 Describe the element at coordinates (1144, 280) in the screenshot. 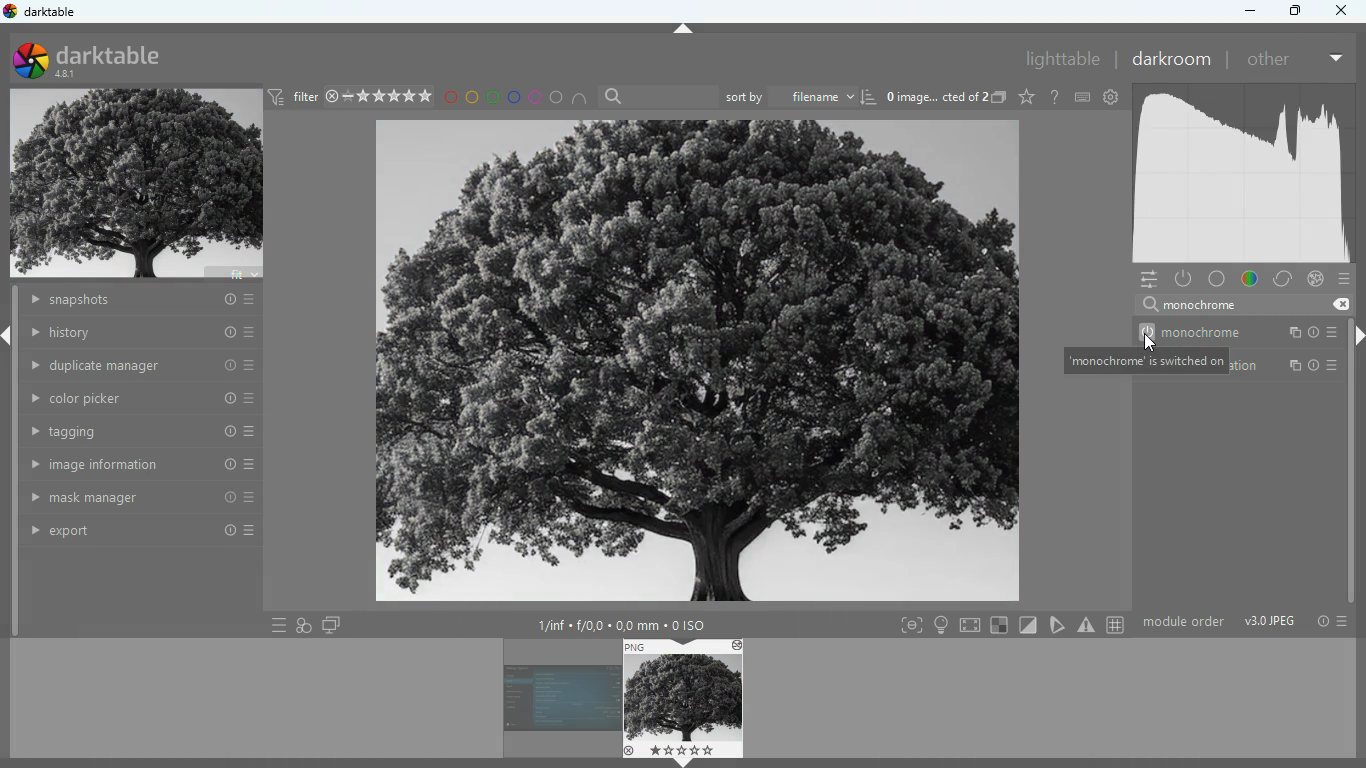

I see `menu` at that location.